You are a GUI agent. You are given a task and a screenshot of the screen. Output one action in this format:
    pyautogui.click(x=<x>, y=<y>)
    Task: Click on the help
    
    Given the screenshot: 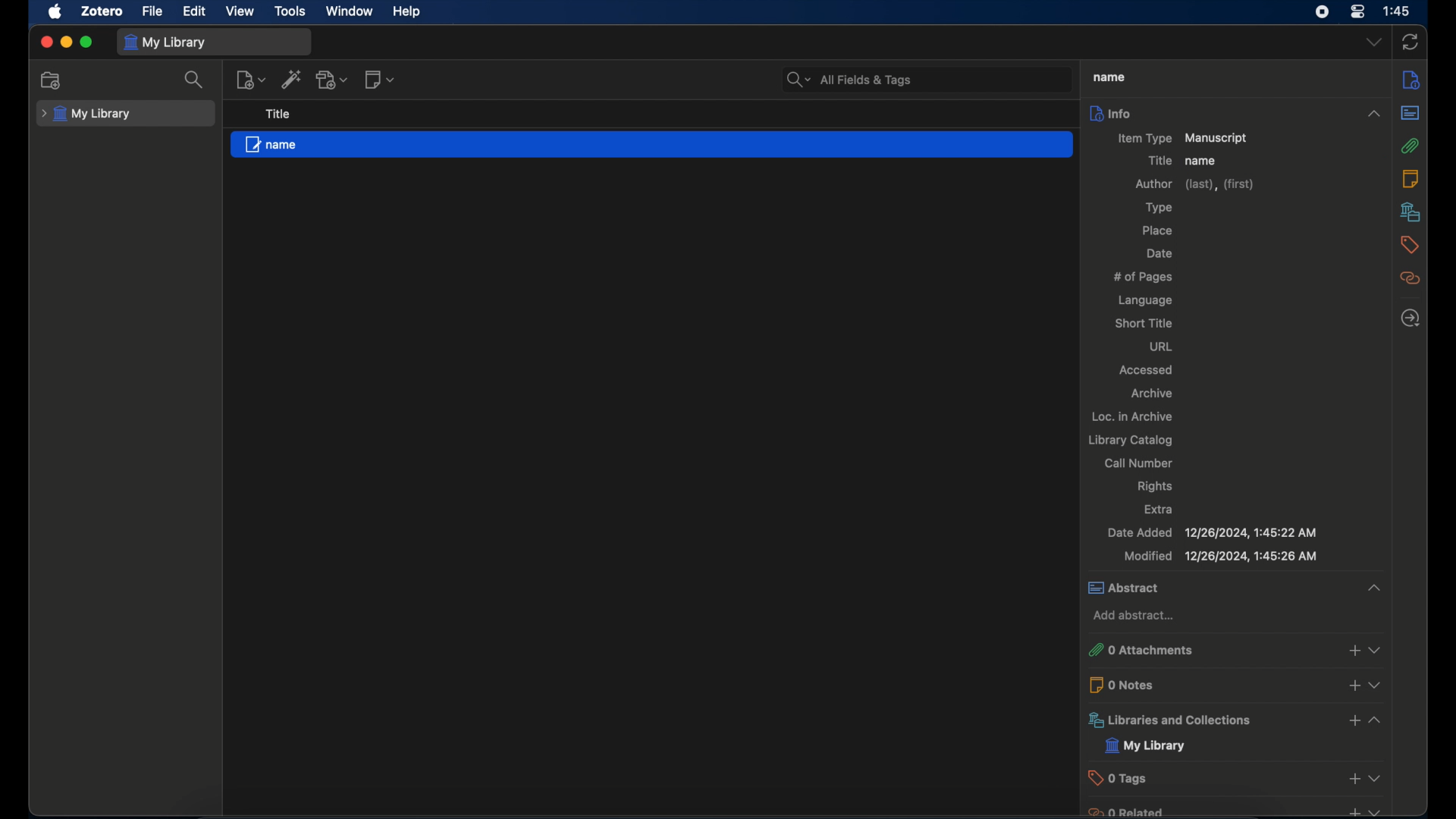 What is the action you would take?
    pyautogui.click(x=406, y=11)
    